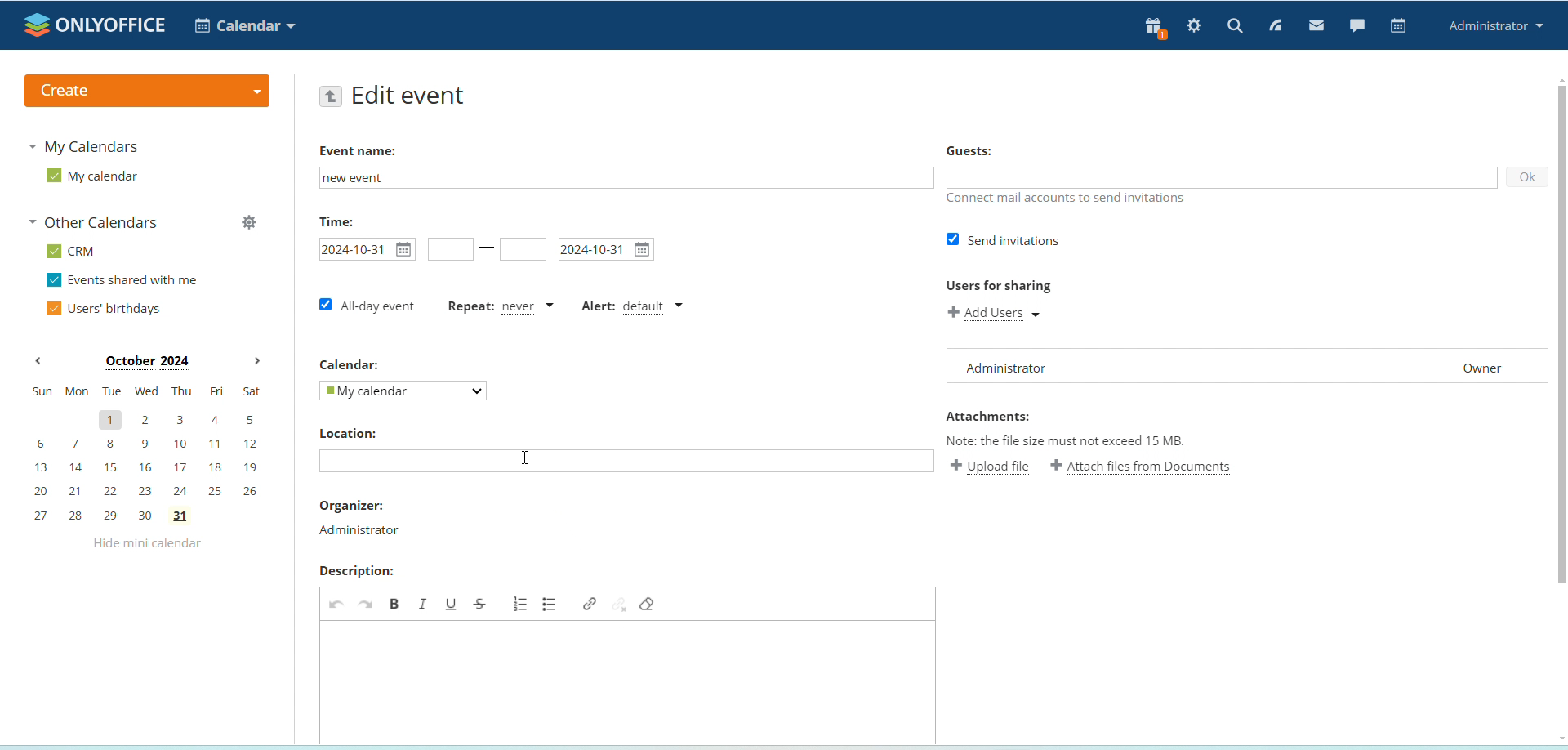  I want to click on calendar, so click(1399, 26).